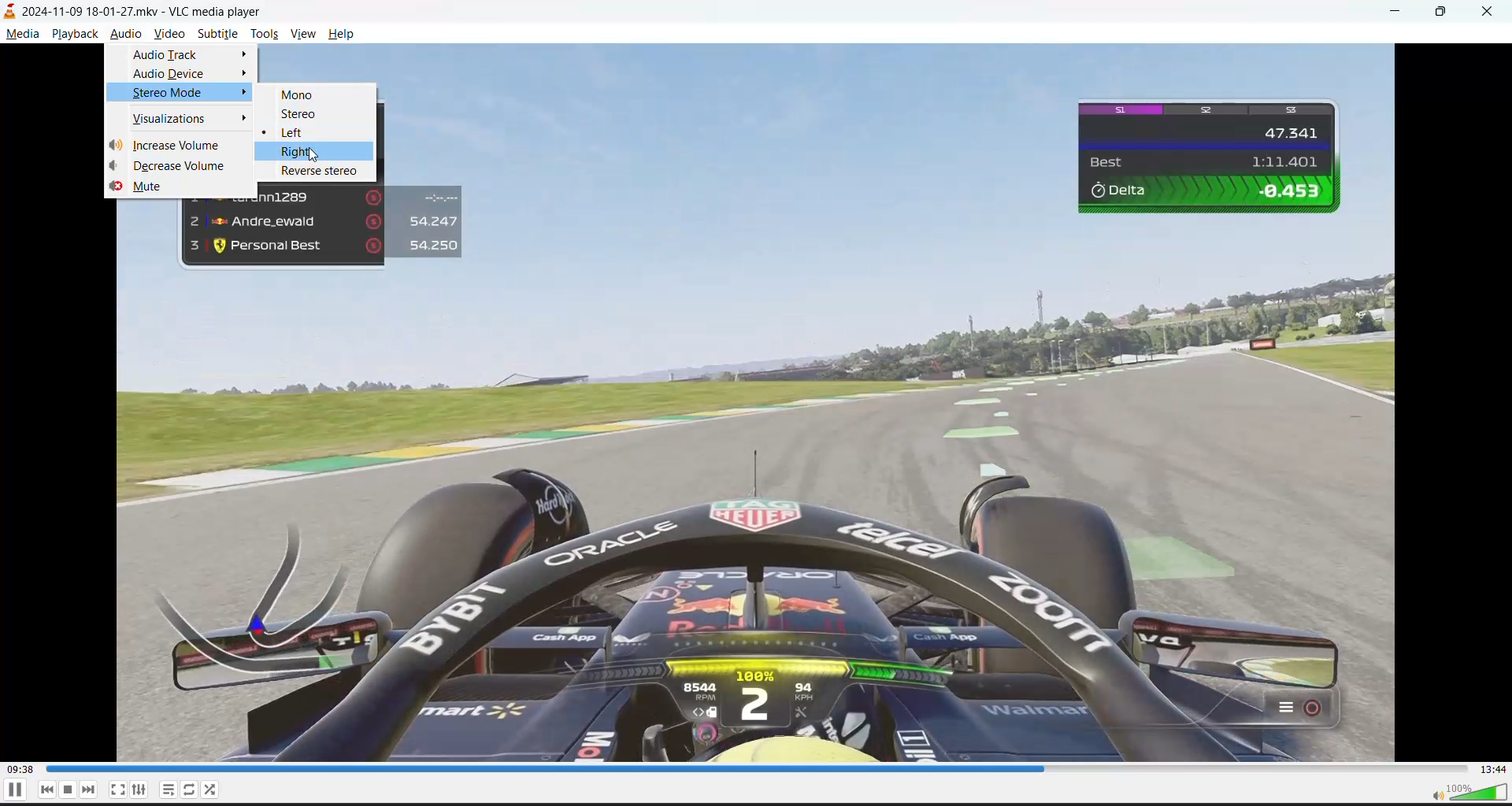  Describe the element at coordinates (303, 116) in the screenshot. I see `stereo` at that location.